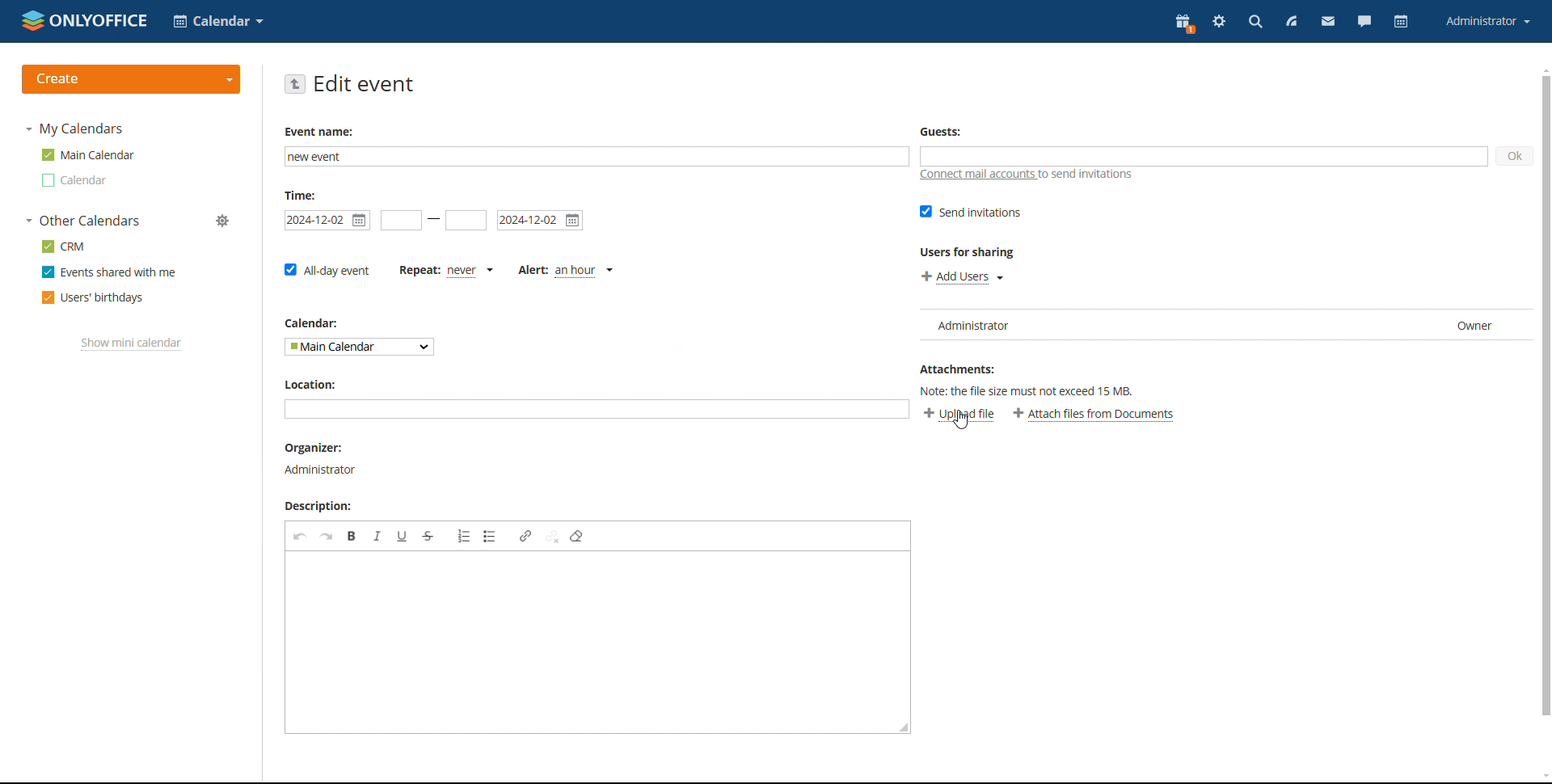 This screenshot has height=784, width=1552. Describe the element at coordinates (82, 221) in the screenshot. I see `other calendars` at that location.